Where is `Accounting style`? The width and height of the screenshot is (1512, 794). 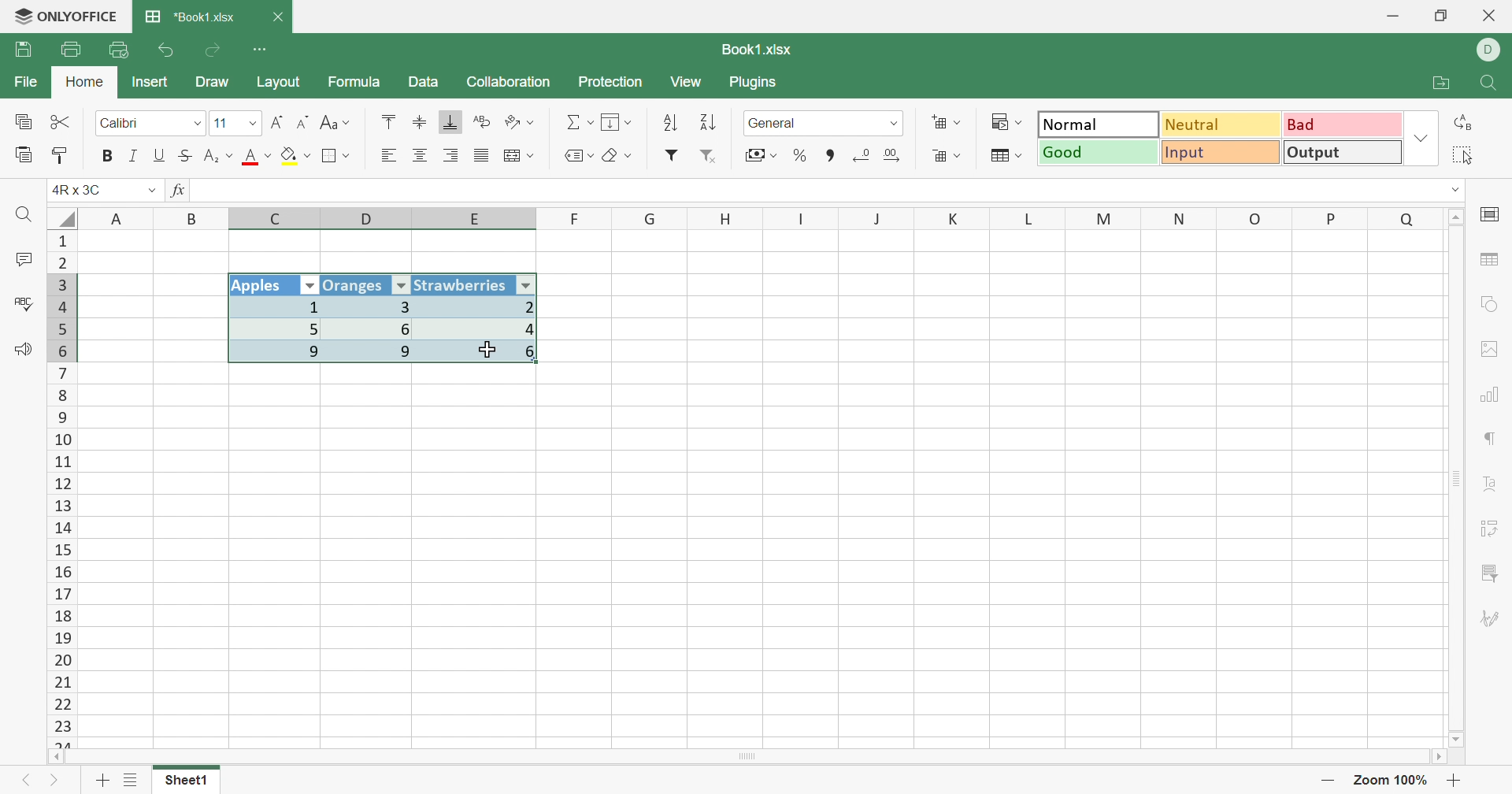
Accounting style is located at coordinates (759, 157).